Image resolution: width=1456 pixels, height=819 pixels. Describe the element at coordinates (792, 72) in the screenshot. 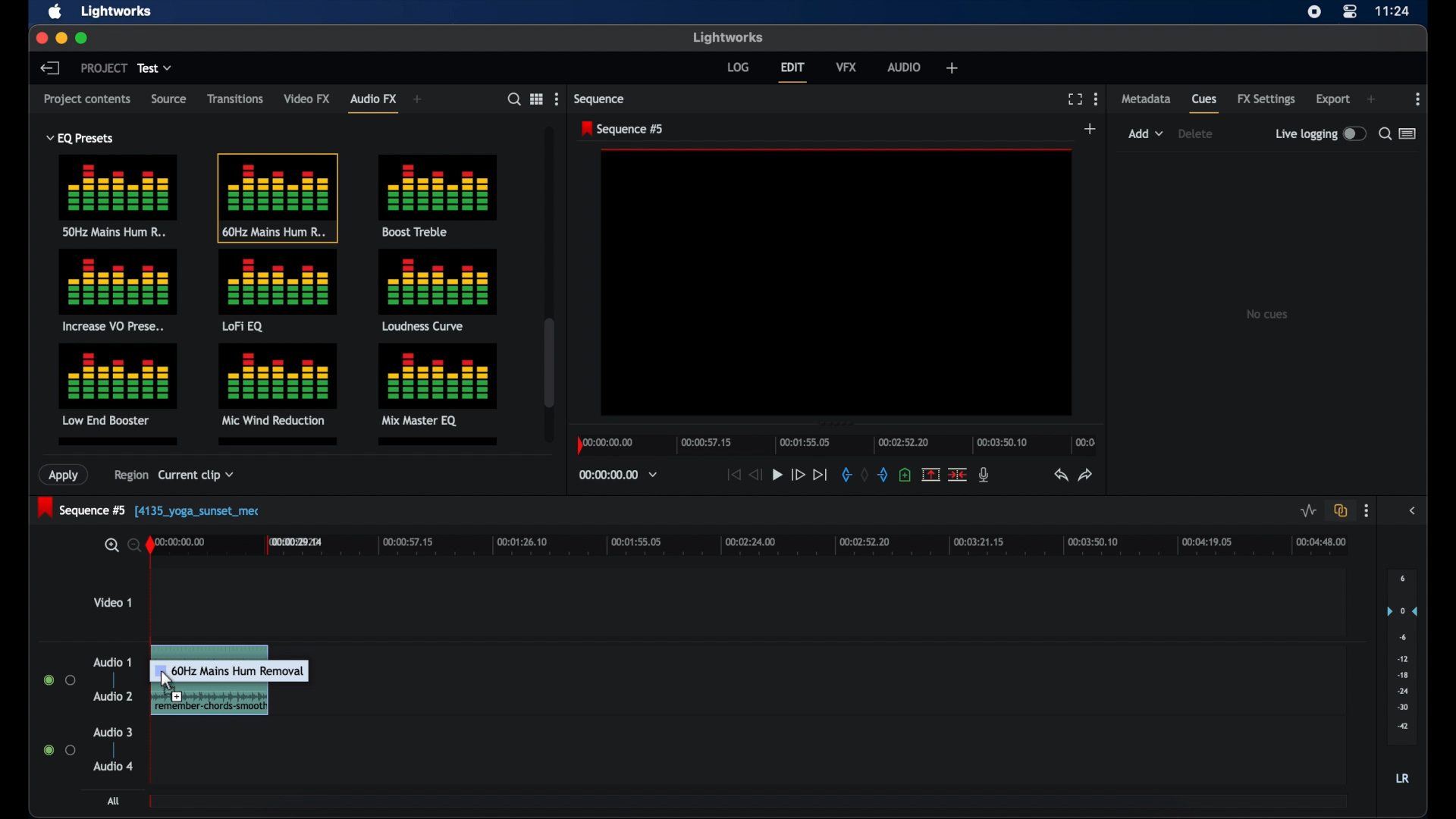

I see `edit` at that location.